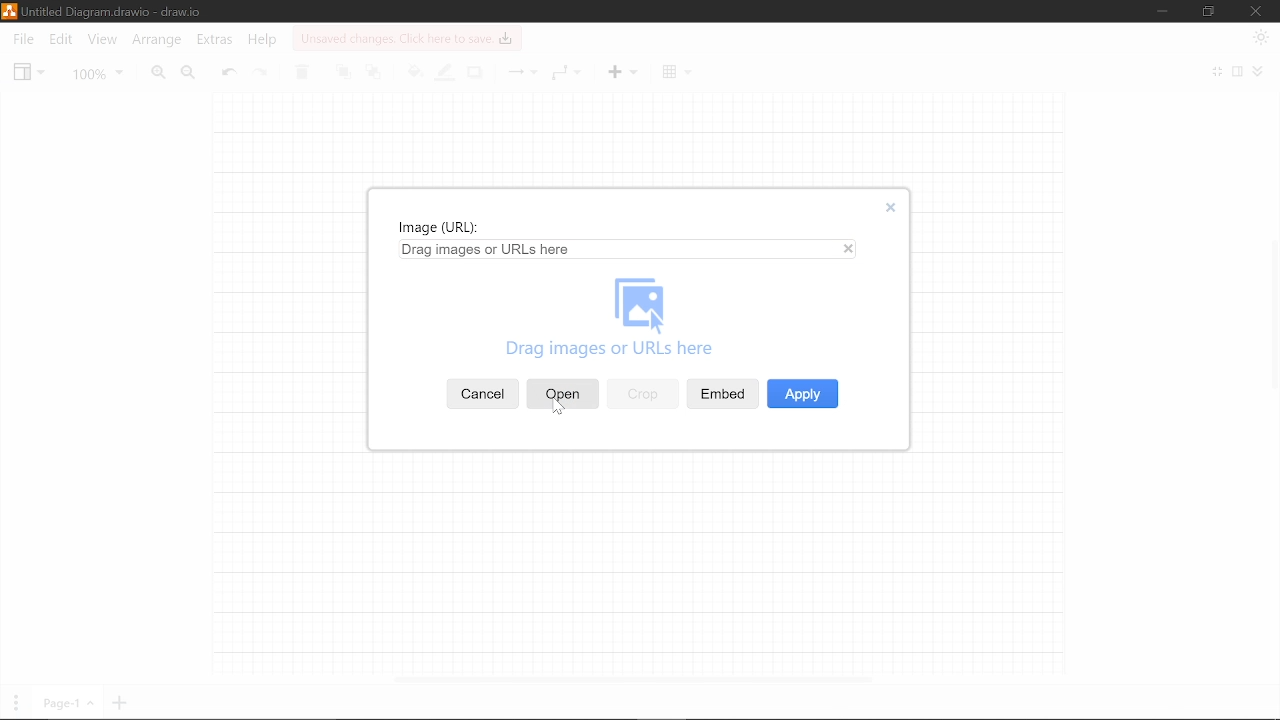 The width and height of the screenshot is (1280, 720). I want to click on Connection, so click(524, 71).